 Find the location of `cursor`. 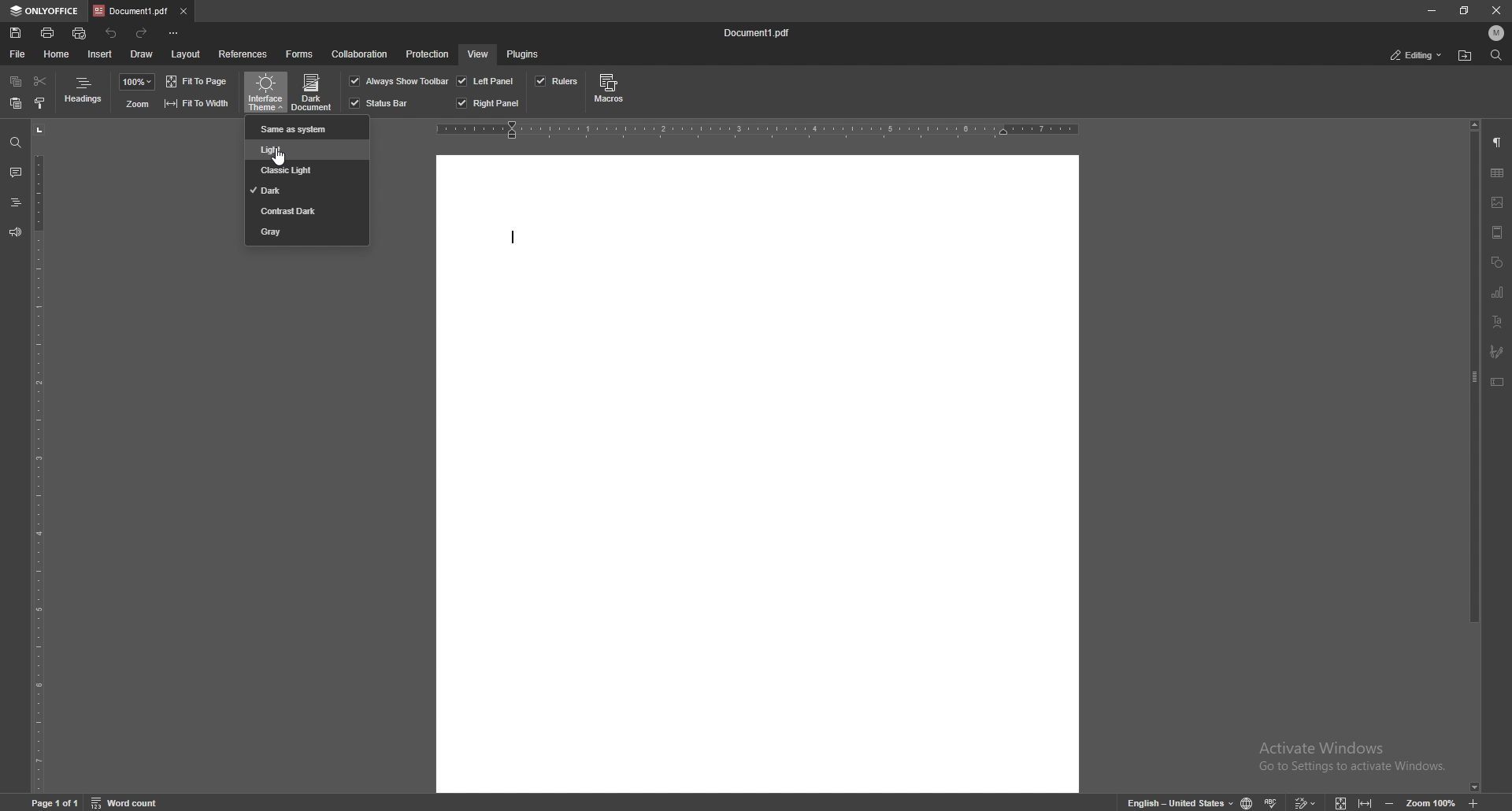

cursor is located at coordinates (279, 159).